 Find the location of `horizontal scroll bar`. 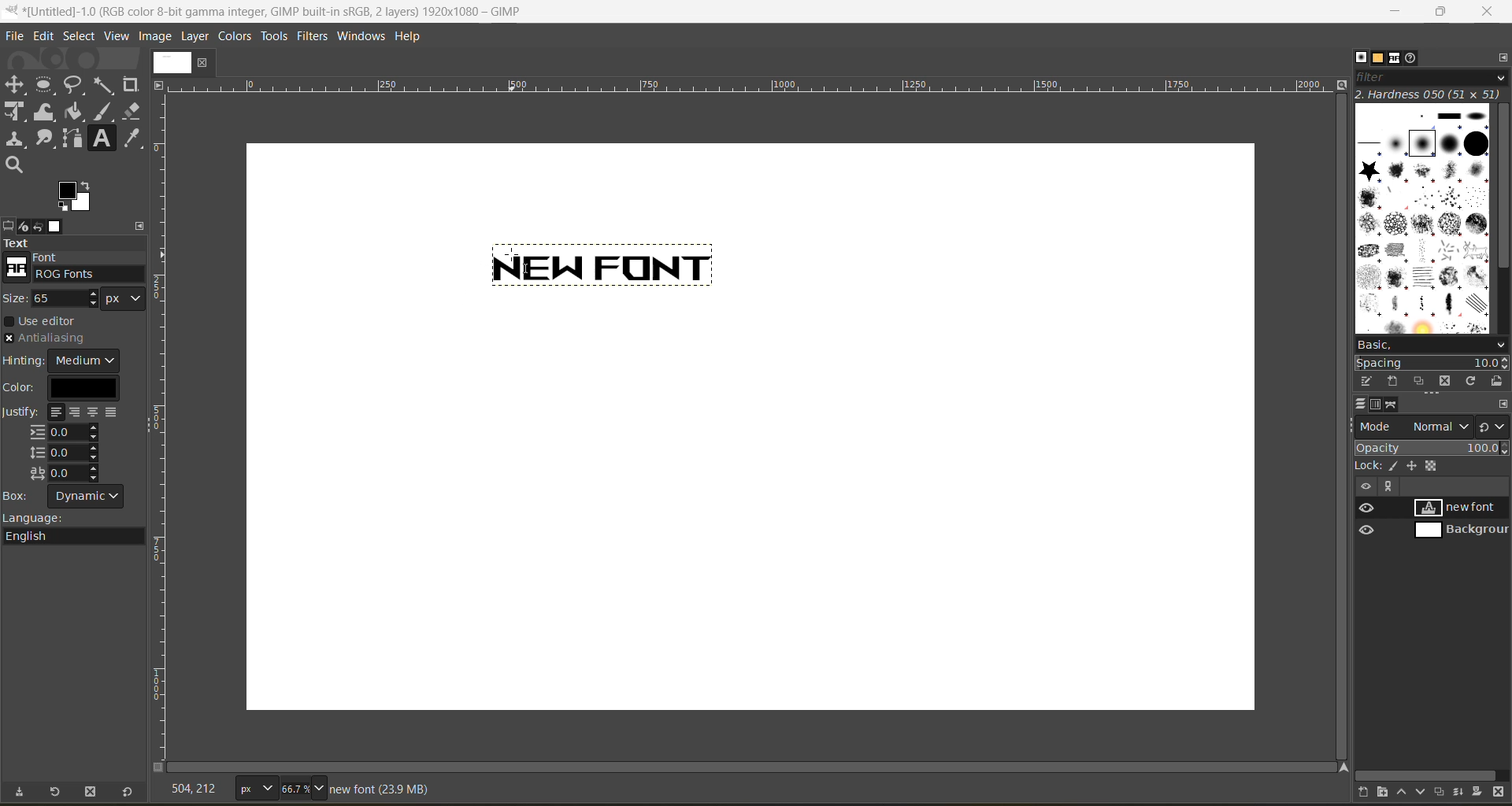

horizontal scroll bar is located at coordinates (1429, 773).